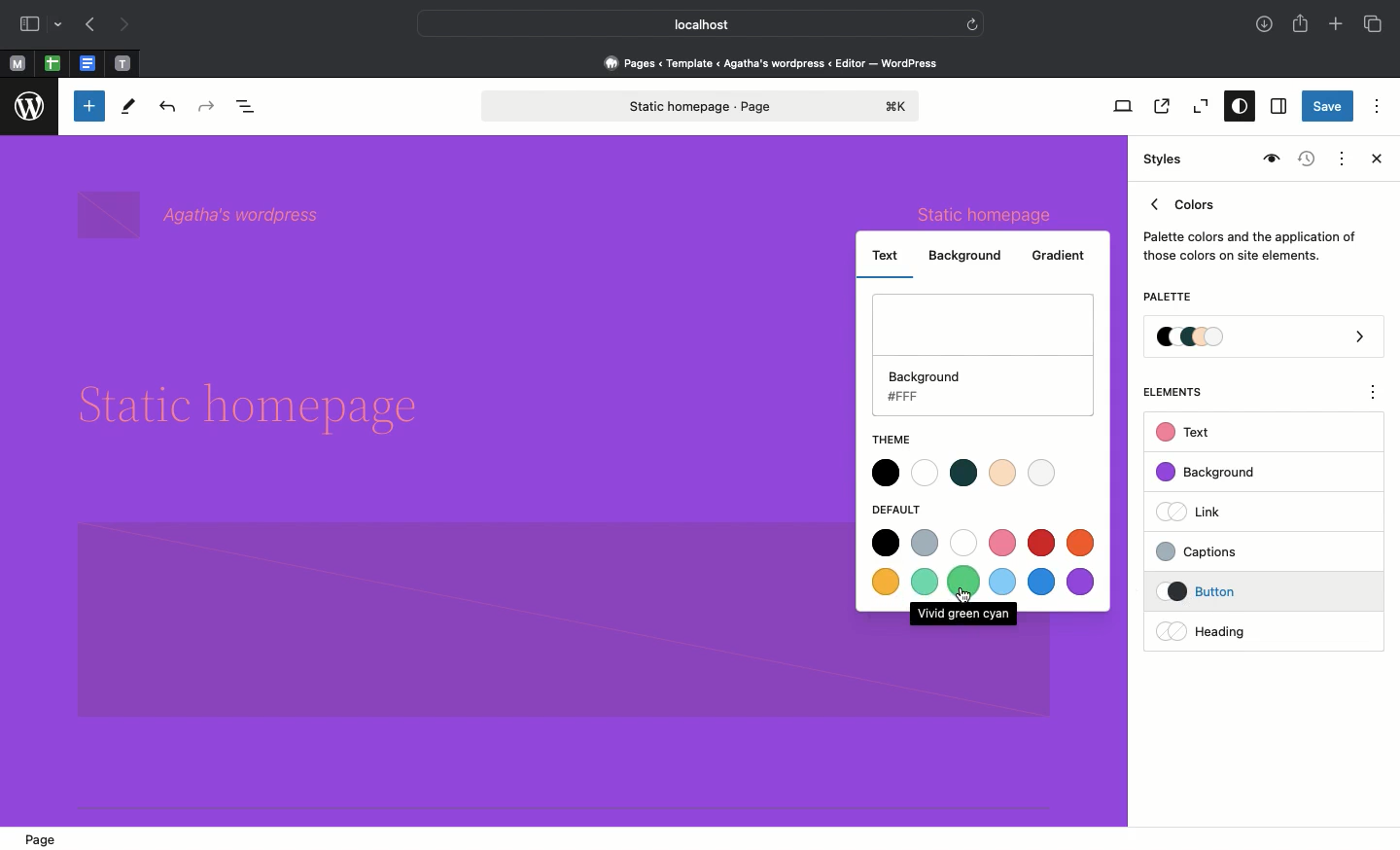 This screenshot has width=1400, height=850. What do you see at coordinates (124, 25) in the screenshot?
I see `Next page` at bounding box center [124, 25].